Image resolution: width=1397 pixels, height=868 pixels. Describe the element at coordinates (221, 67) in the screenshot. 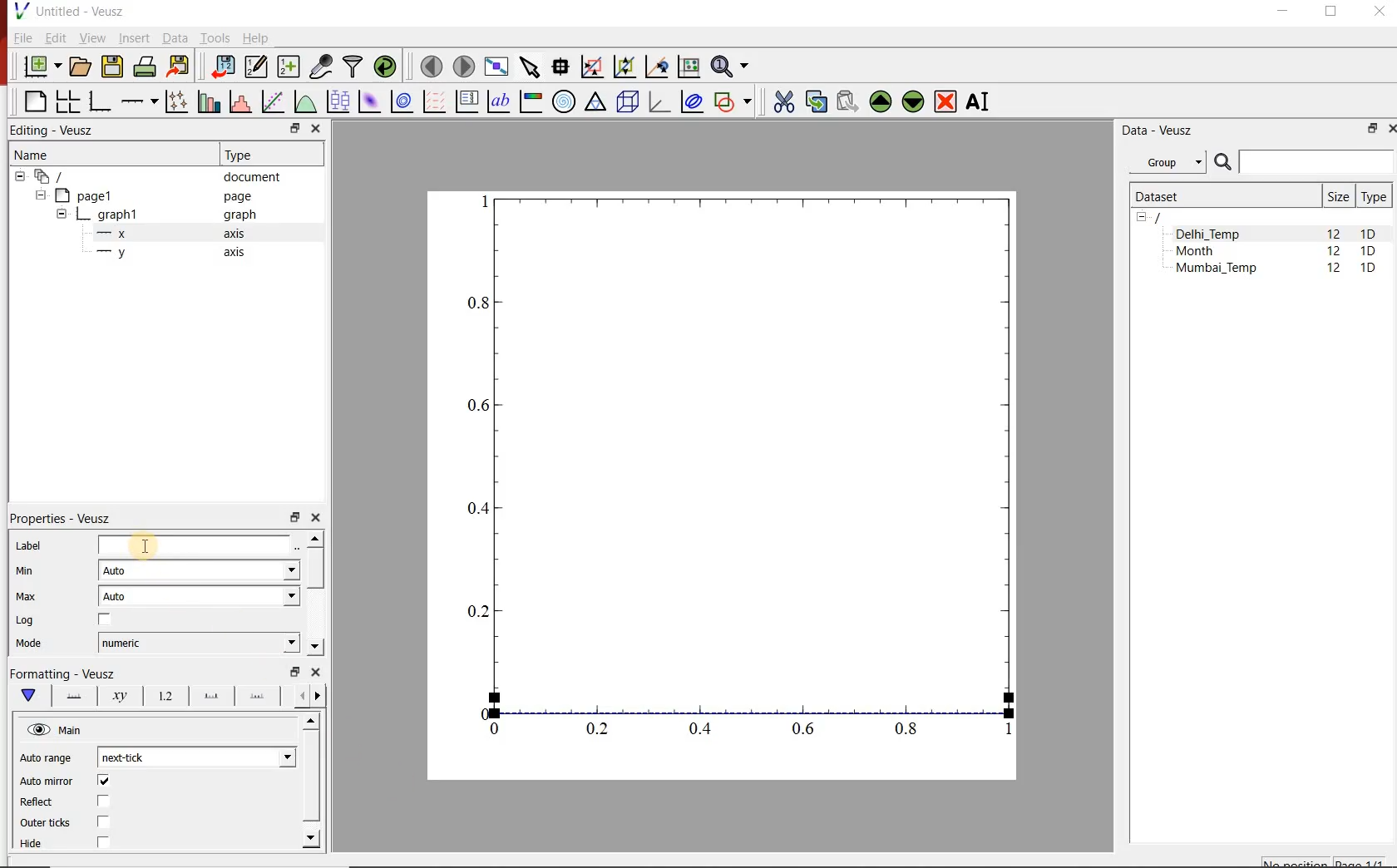

I see `import data into Veusz` at that location.